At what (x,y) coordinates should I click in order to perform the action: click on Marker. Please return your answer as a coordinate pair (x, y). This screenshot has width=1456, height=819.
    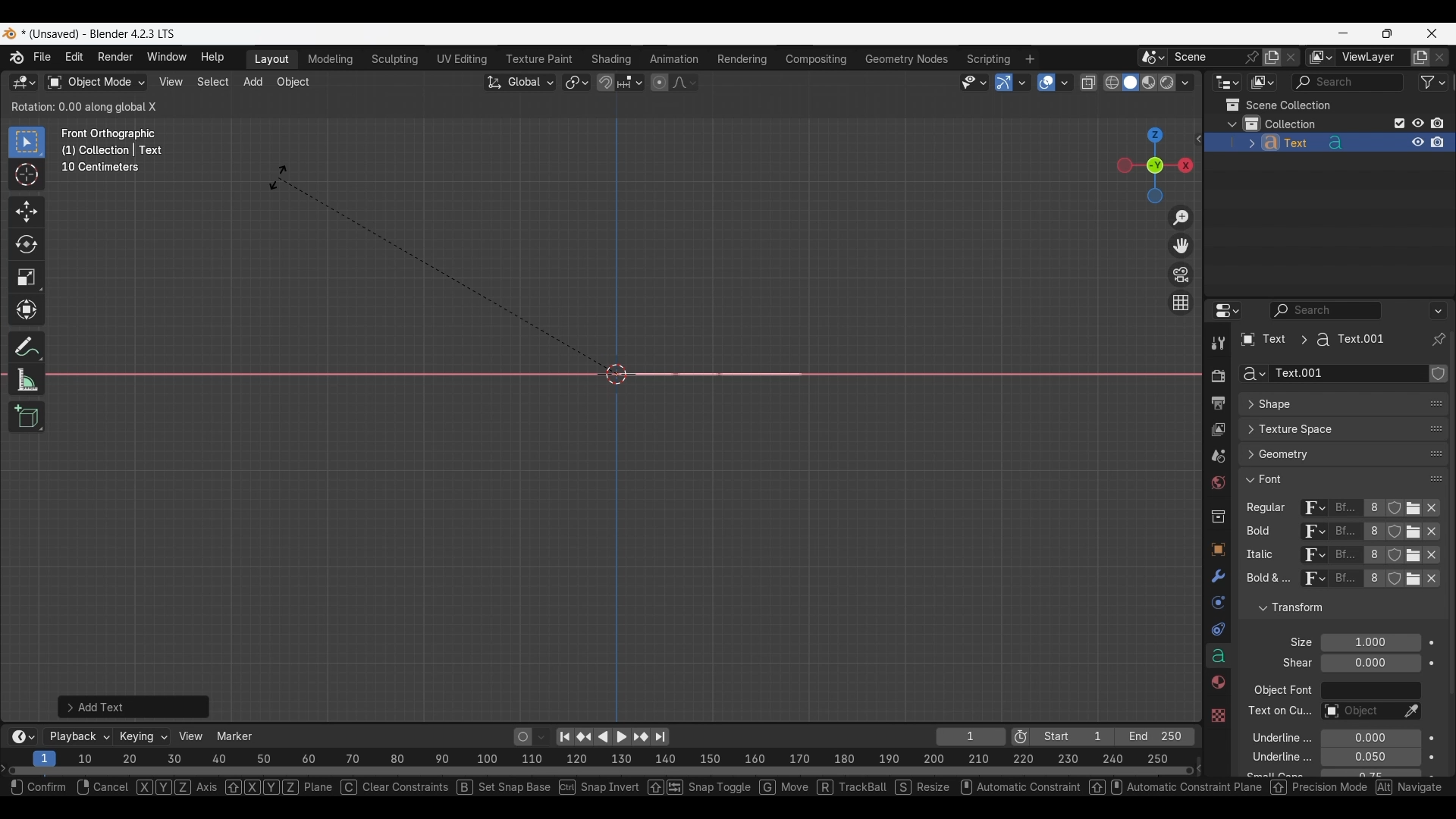
    Looking at the image, I should click on (235, 736).